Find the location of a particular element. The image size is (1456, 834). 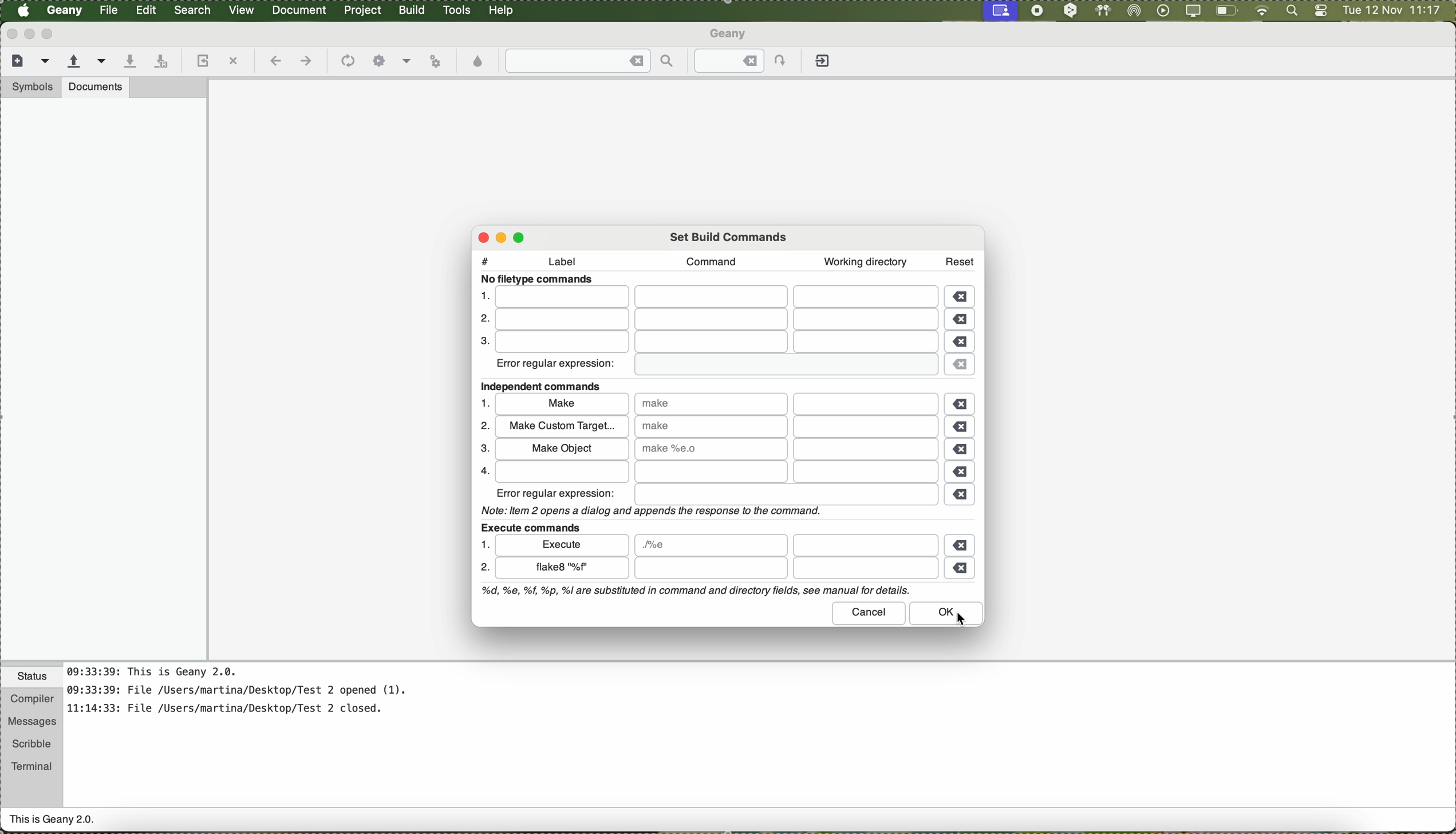

airpods is located at coordinates (1102, 10).